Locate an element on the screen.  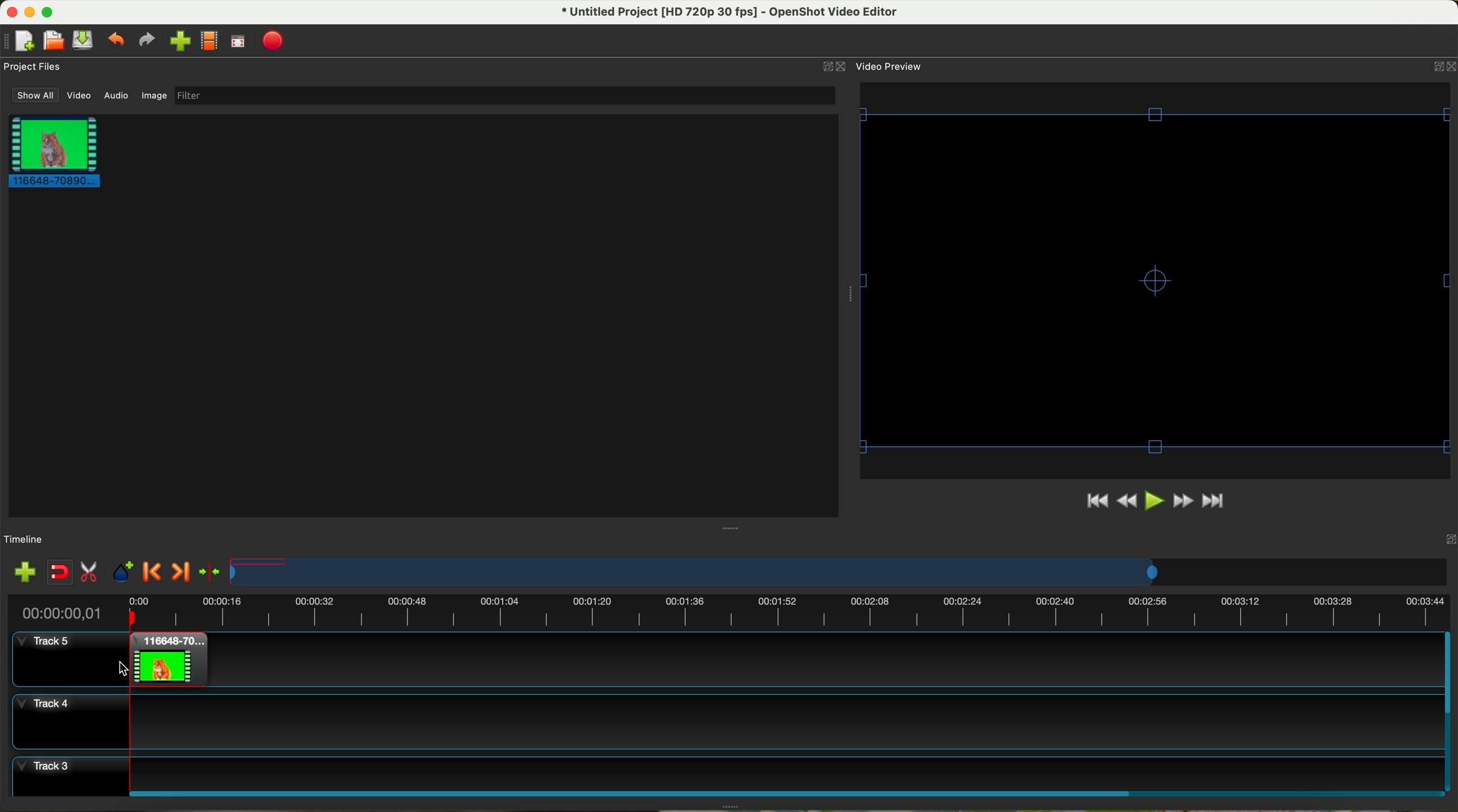
fast foward is located at coordinates (1183, 501).